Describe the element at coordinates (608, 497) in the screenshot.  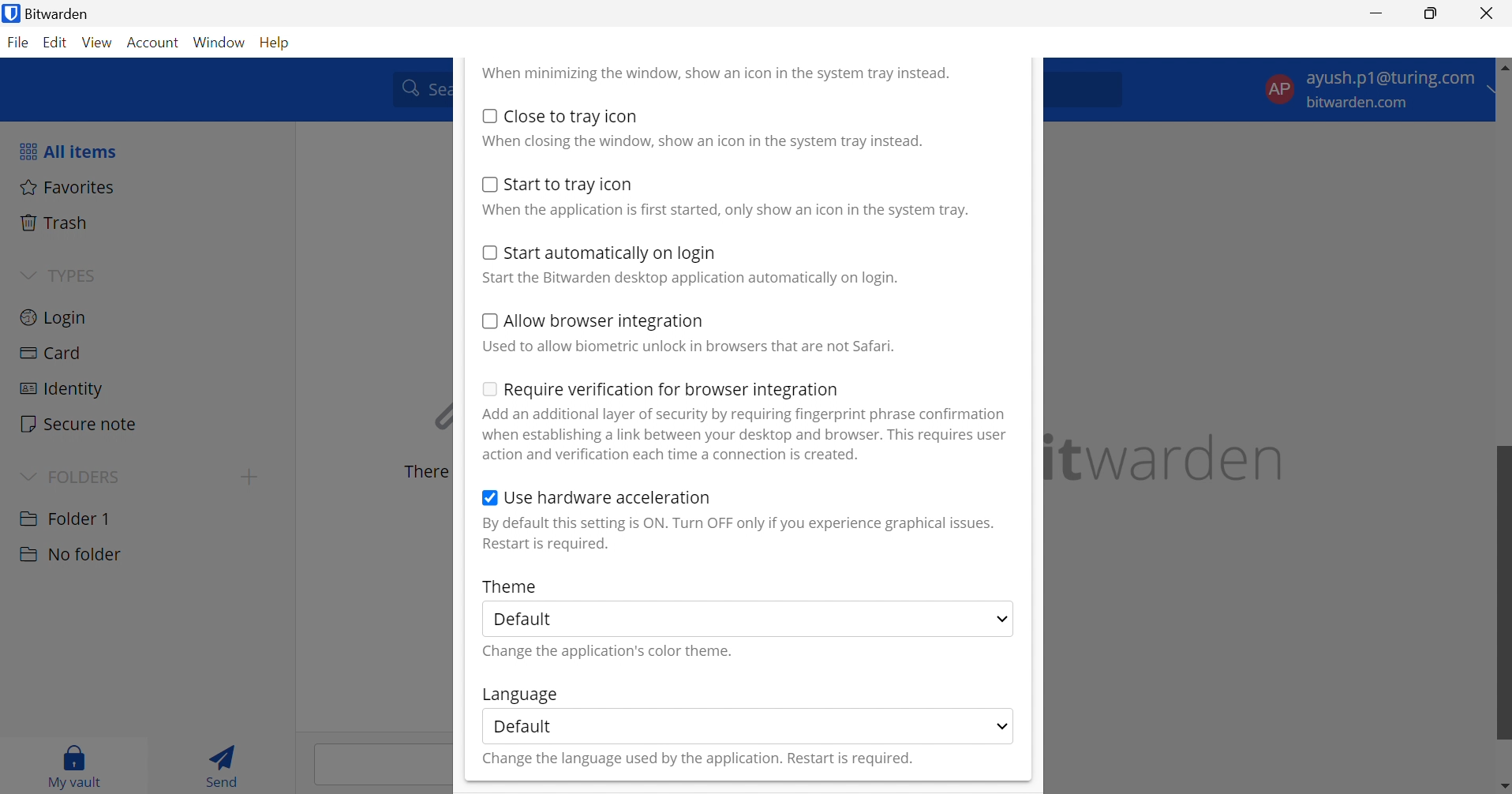
I see `Use hardware acceleration` at that location.